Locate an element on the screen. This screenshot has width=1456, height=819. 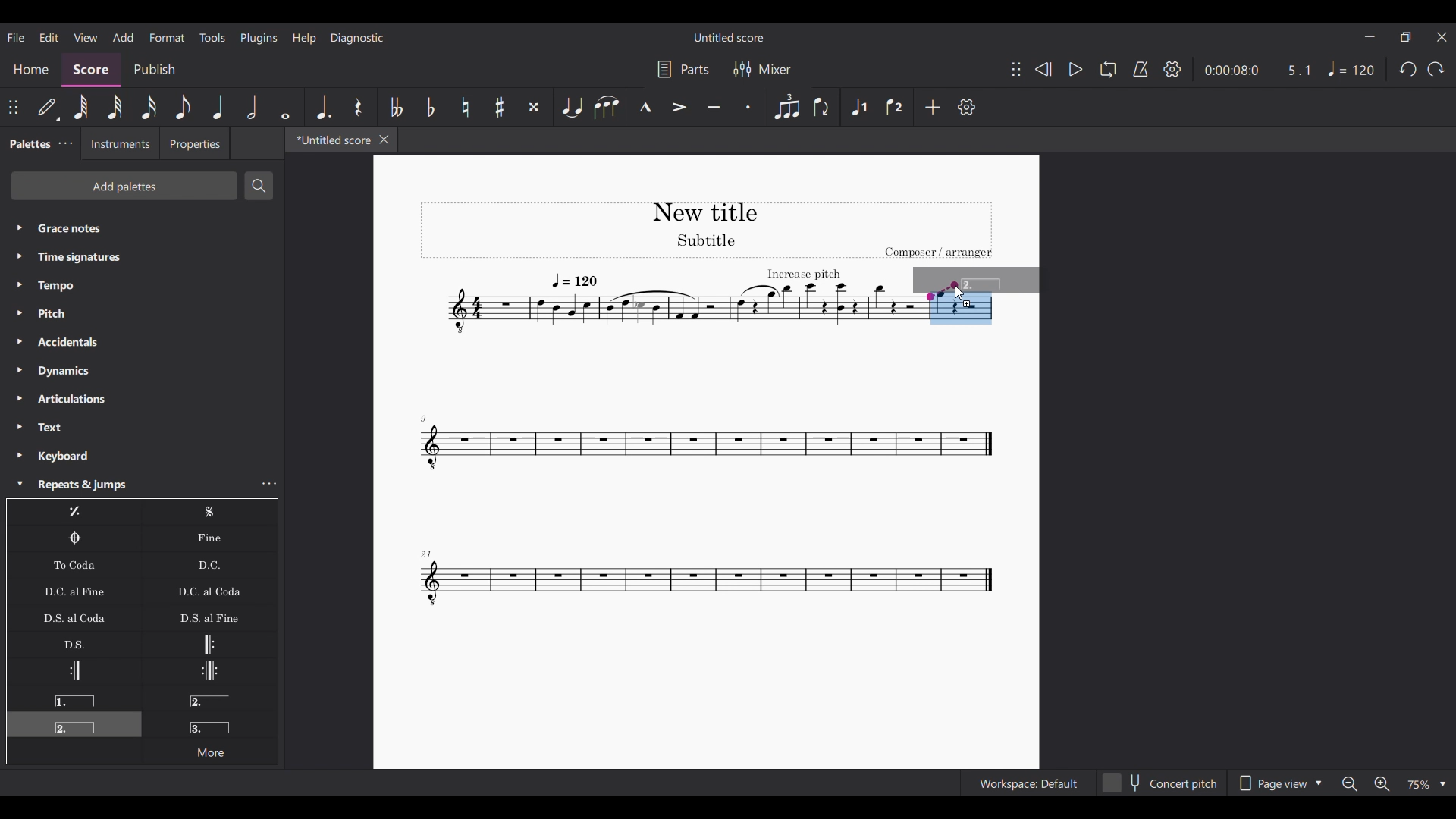
Rewind is located at coordinates (1043, 70).